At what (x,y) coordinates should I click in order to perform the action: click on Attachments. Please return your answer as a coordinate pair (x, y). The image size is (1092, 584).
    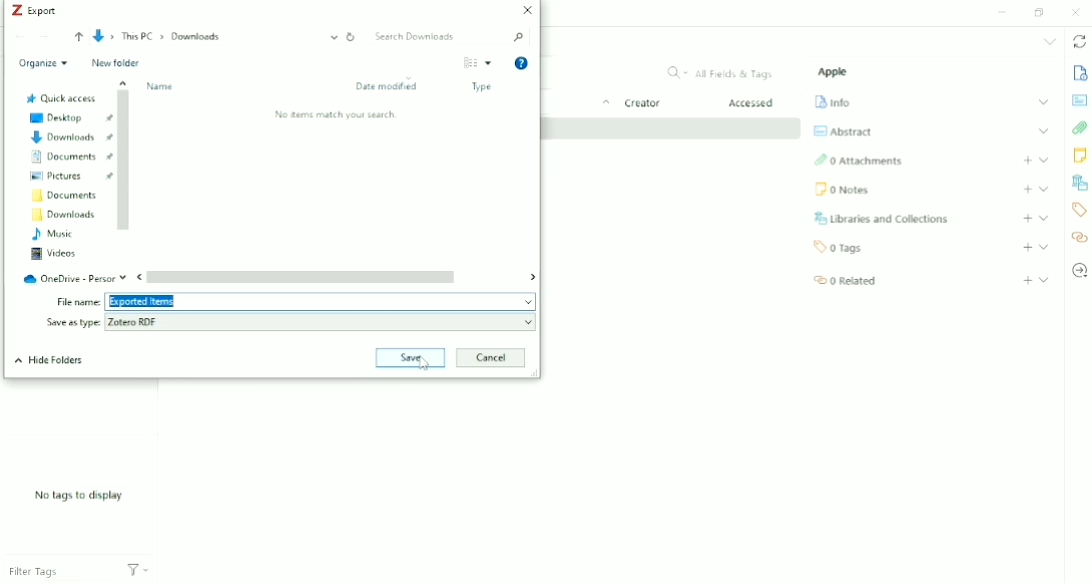
    Looking at the image, I should click on (859, 161).